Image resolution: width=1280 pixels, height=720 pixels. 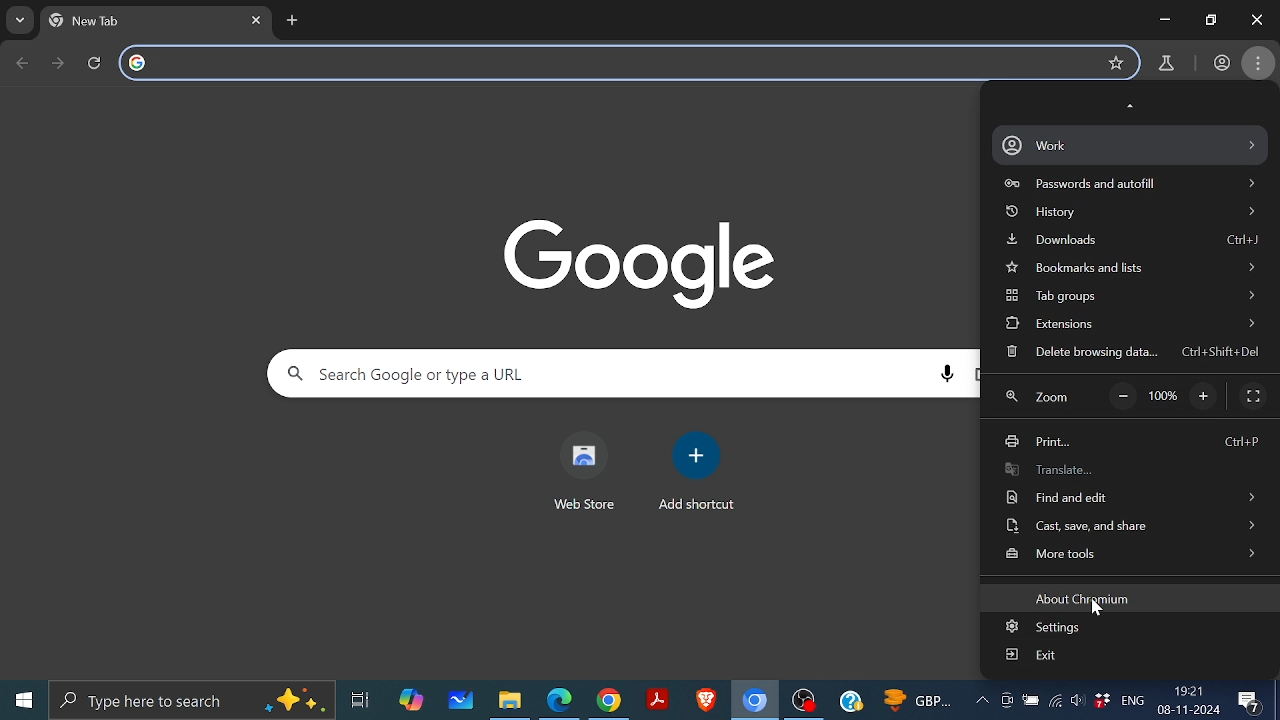 I want to click on profile, so click(x=1219, y=64).